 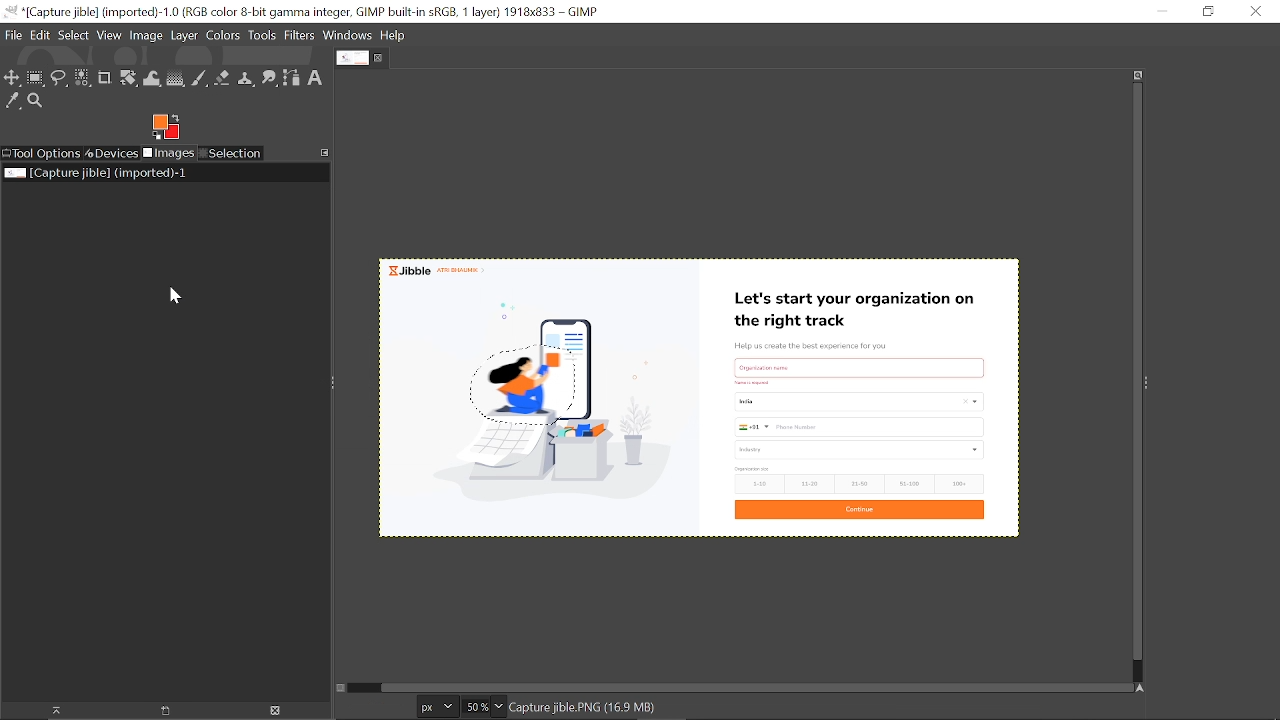 What do you see at coordinates (105, 79) in the screenshot?
I see `Crop text tool` at bounding box center [105, 79].